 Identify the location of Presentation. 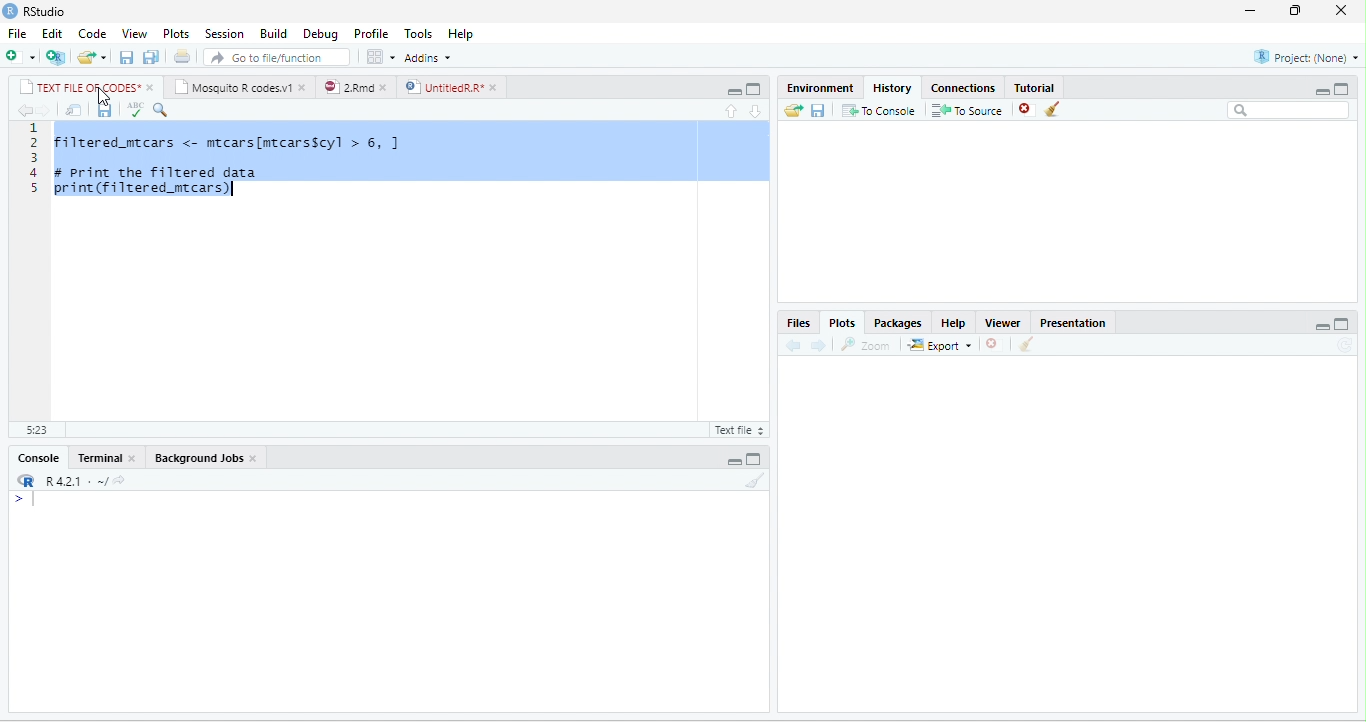
(1072, 323).